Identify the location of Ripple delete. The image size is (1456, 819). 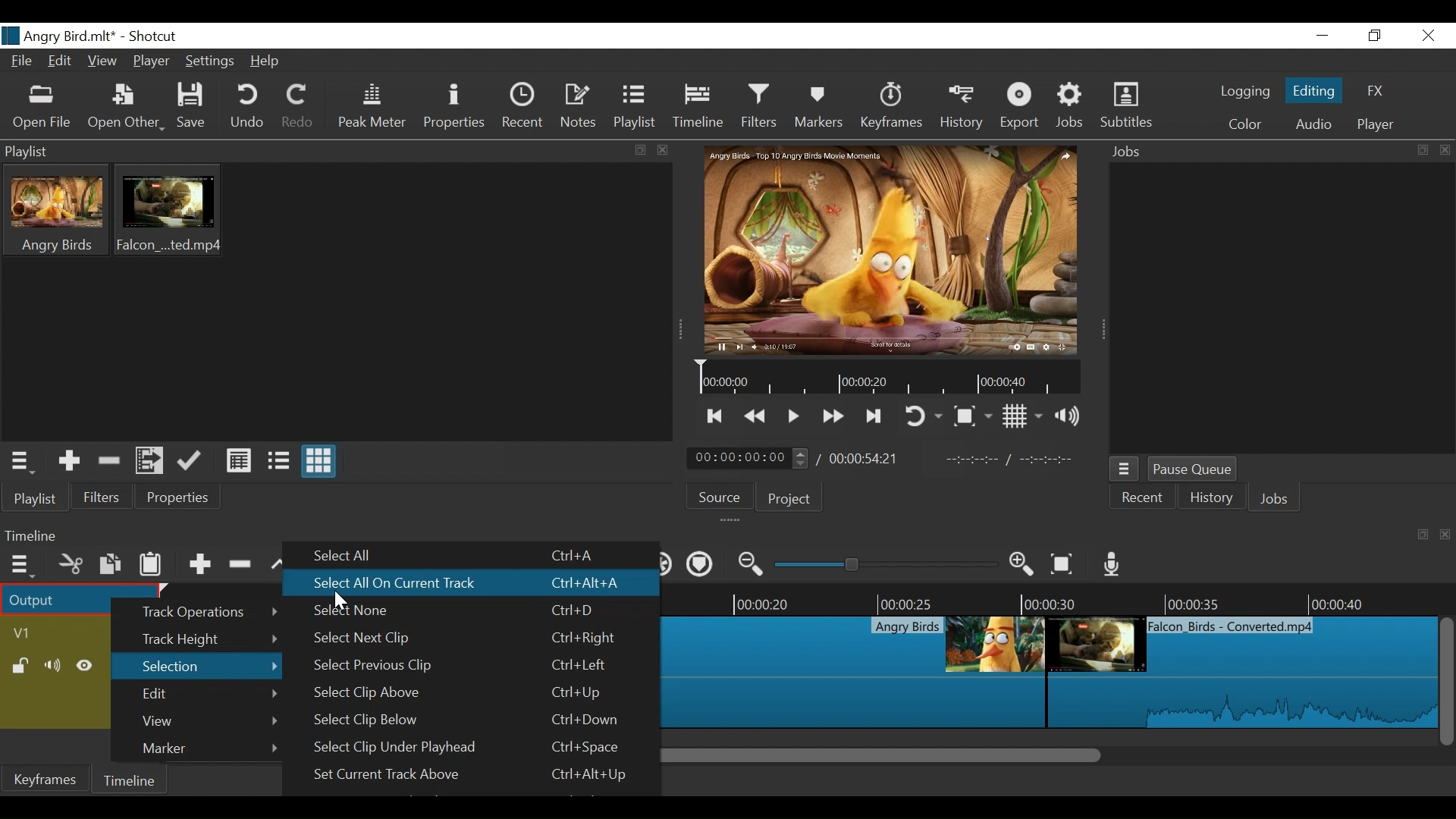
(240, 564).